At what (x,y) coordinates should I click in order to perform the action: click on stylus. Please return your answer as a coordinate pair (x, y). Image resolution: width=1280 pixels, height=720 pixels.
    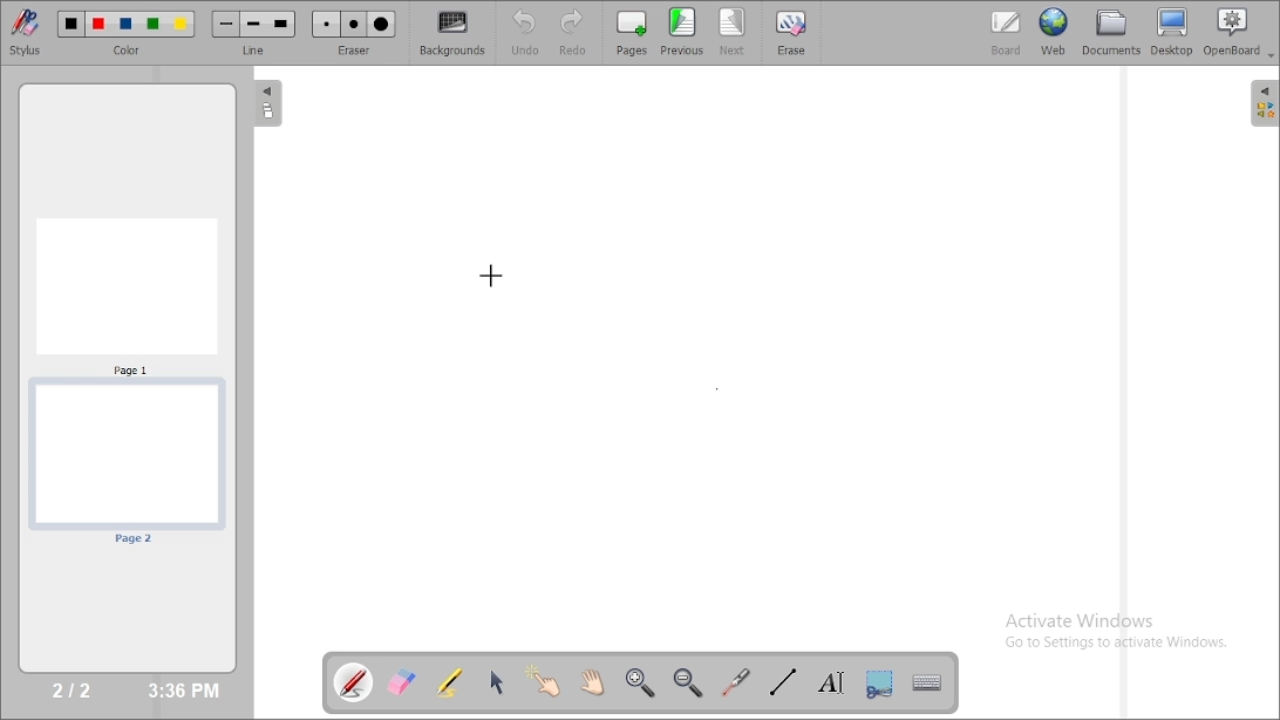
    Looking at the image, I should click on (25, 31).